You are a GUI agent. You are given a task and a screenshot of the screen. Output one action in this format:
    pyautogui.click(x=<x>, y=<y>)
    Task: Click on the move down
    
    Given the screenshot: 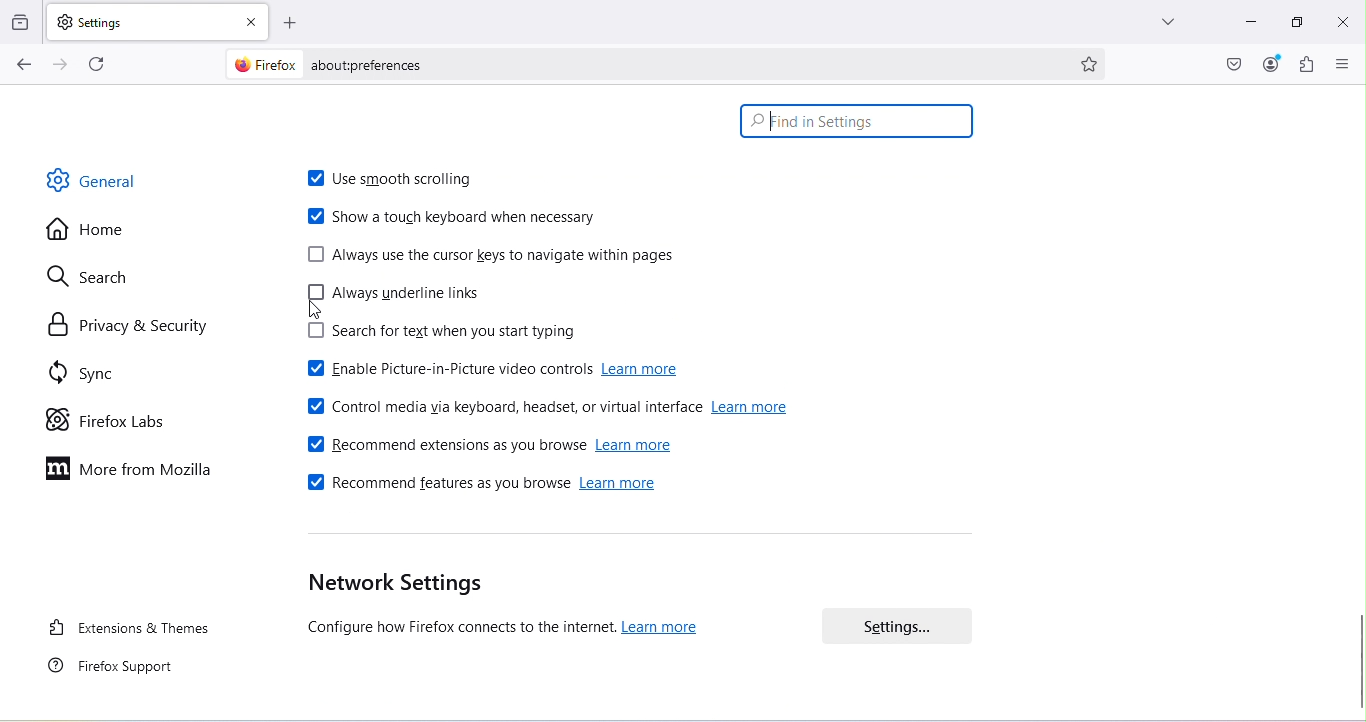 What is the action you would take?
    pyautogui.click(x=1357, y=715)
    